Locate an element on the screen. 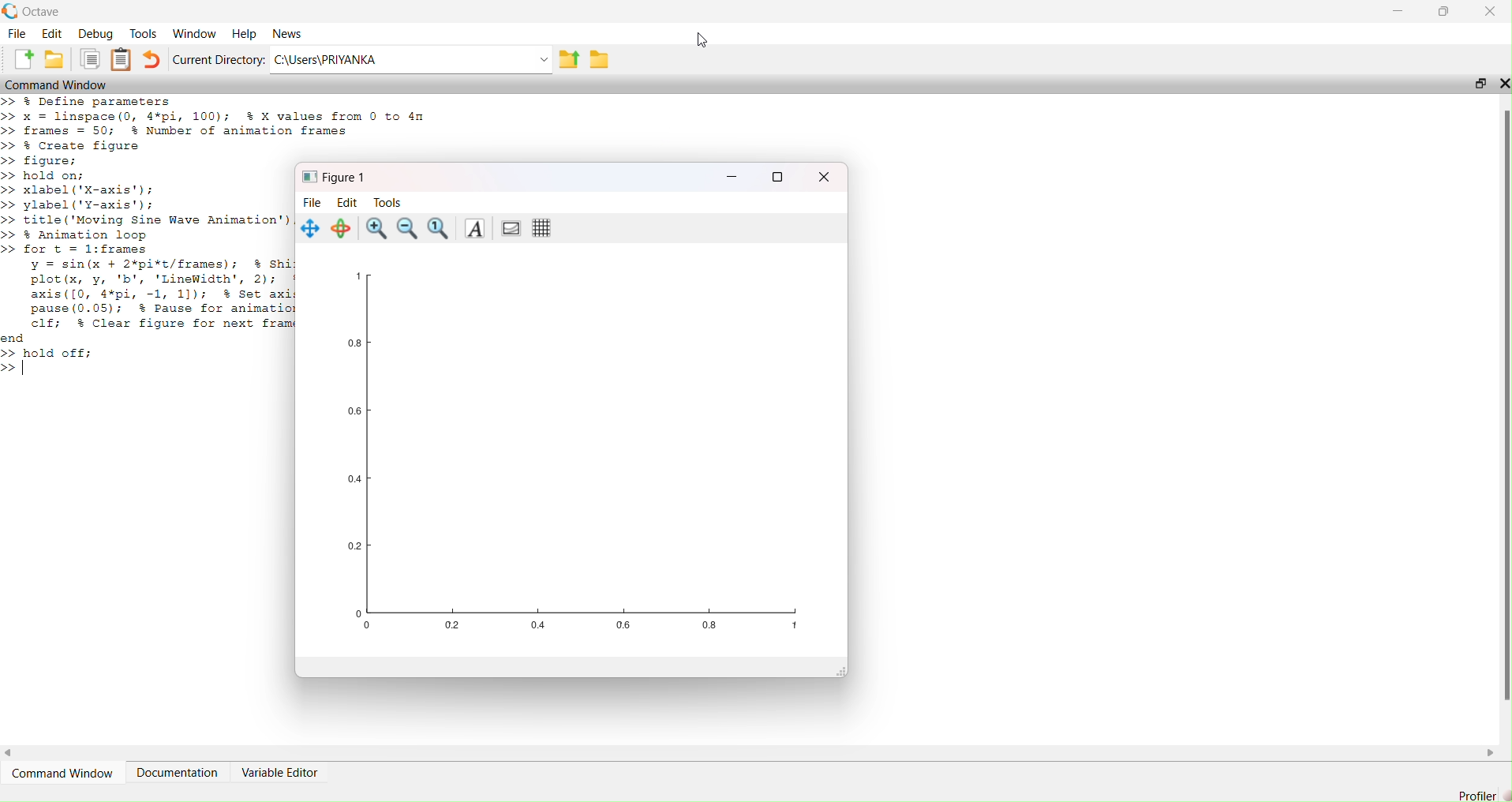  zoom is located at coordinates (438, 229).